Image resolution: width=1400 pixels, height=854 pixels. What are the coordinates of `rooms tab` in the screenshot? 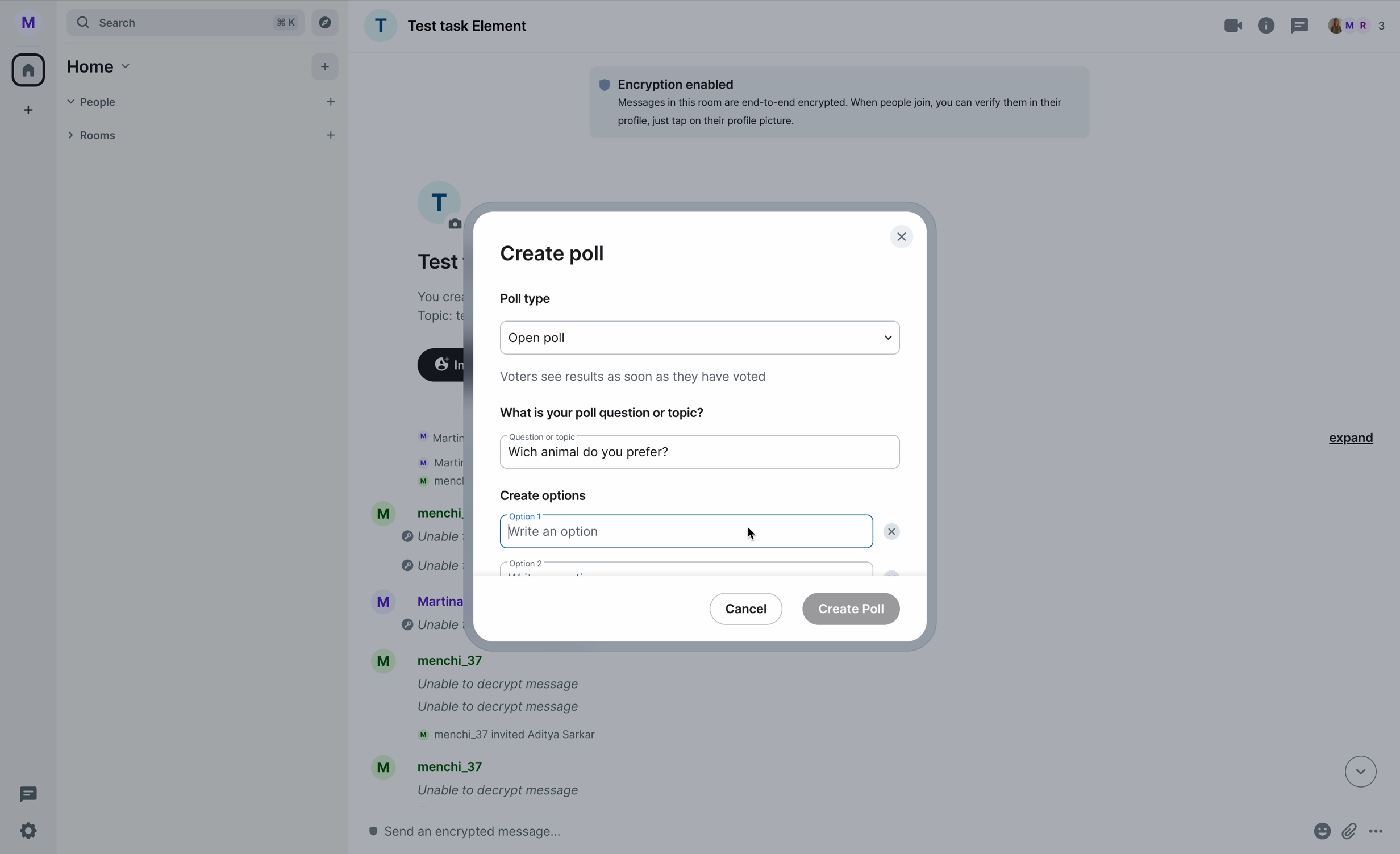 It's located at (198, 137).